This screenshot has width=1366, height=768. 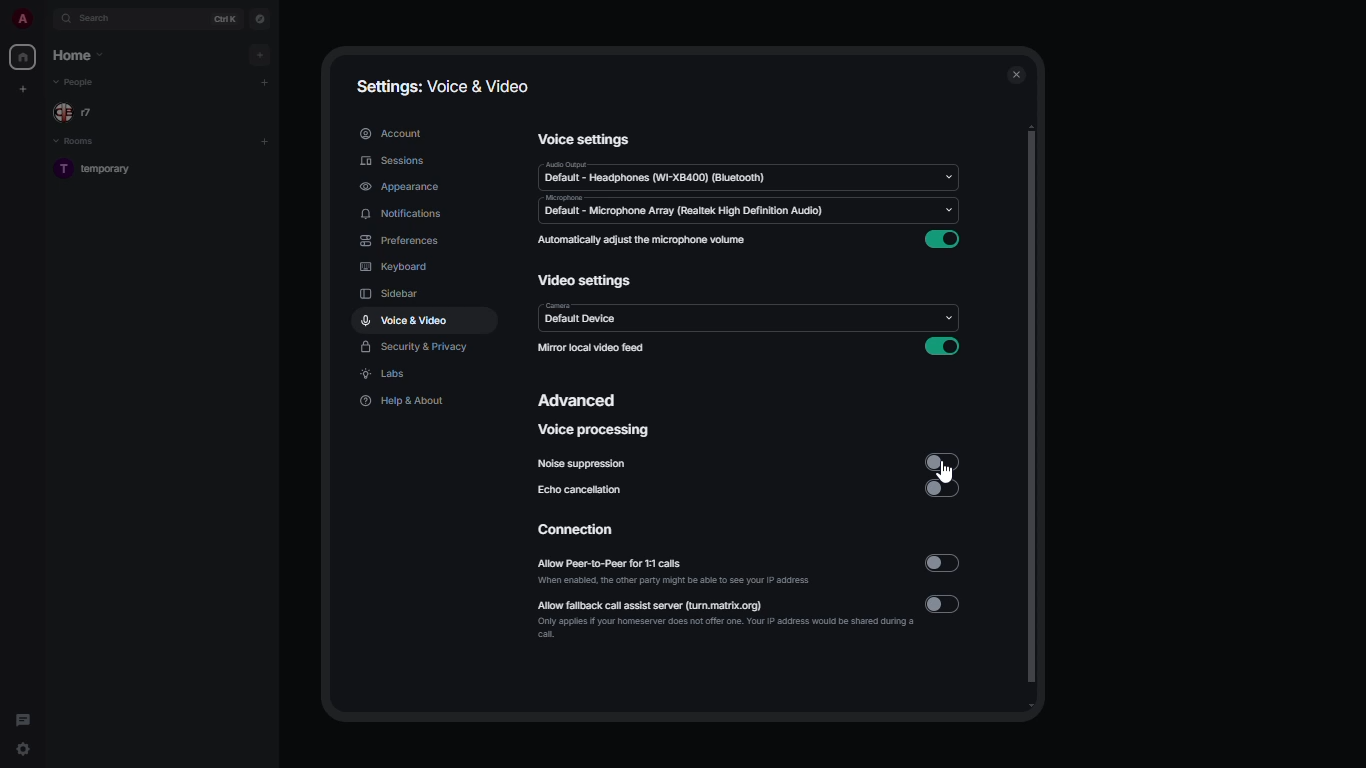 I want to click on help & about, so click(x=404, y=400).